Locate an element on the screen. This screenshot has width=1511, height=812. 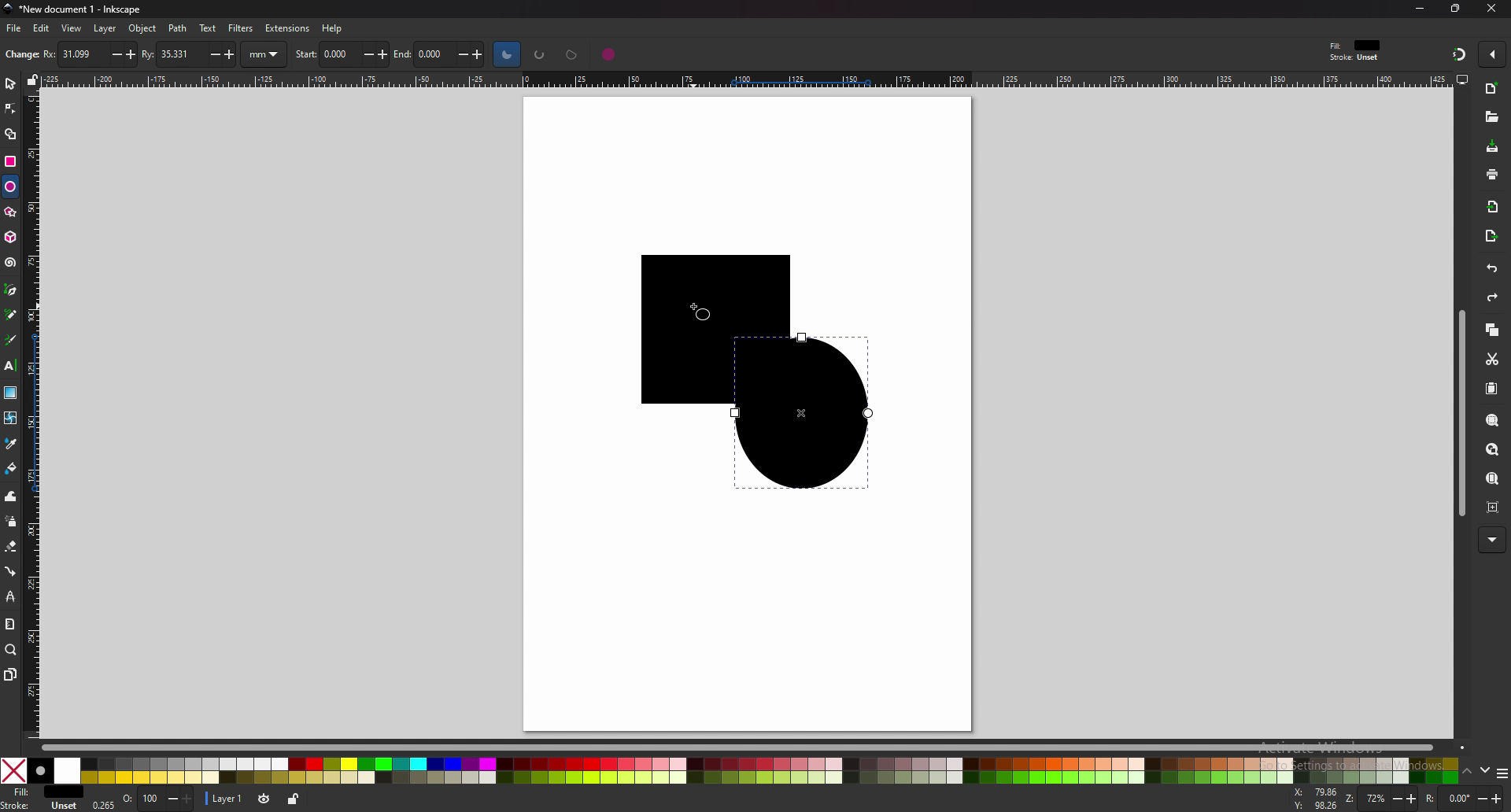
spray is located at coordinates (10, 522).